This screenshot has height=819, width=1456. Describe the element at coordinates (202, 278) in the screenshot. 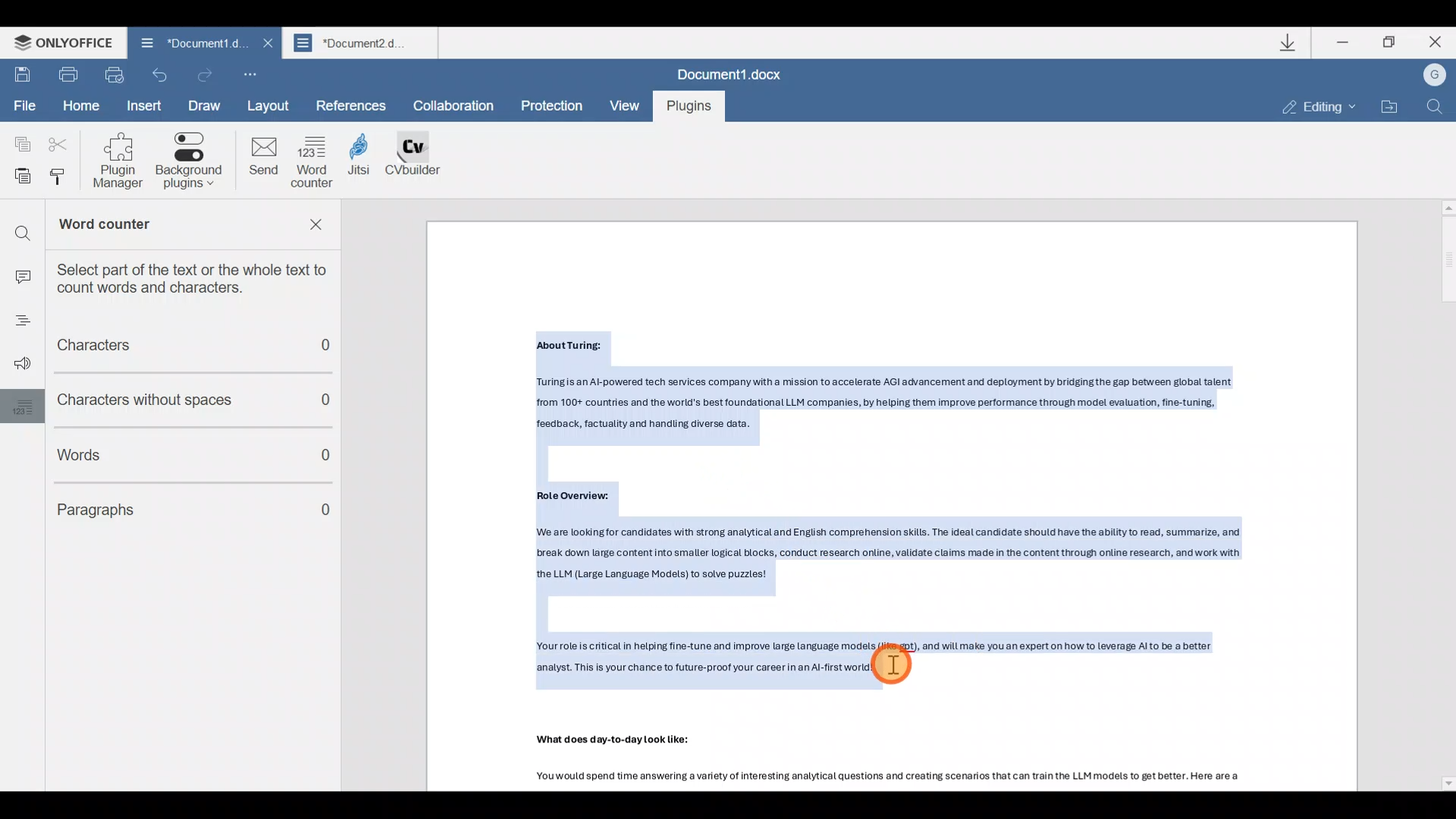

I see `Select part of the text or the whole text to count words & characters` at that location.